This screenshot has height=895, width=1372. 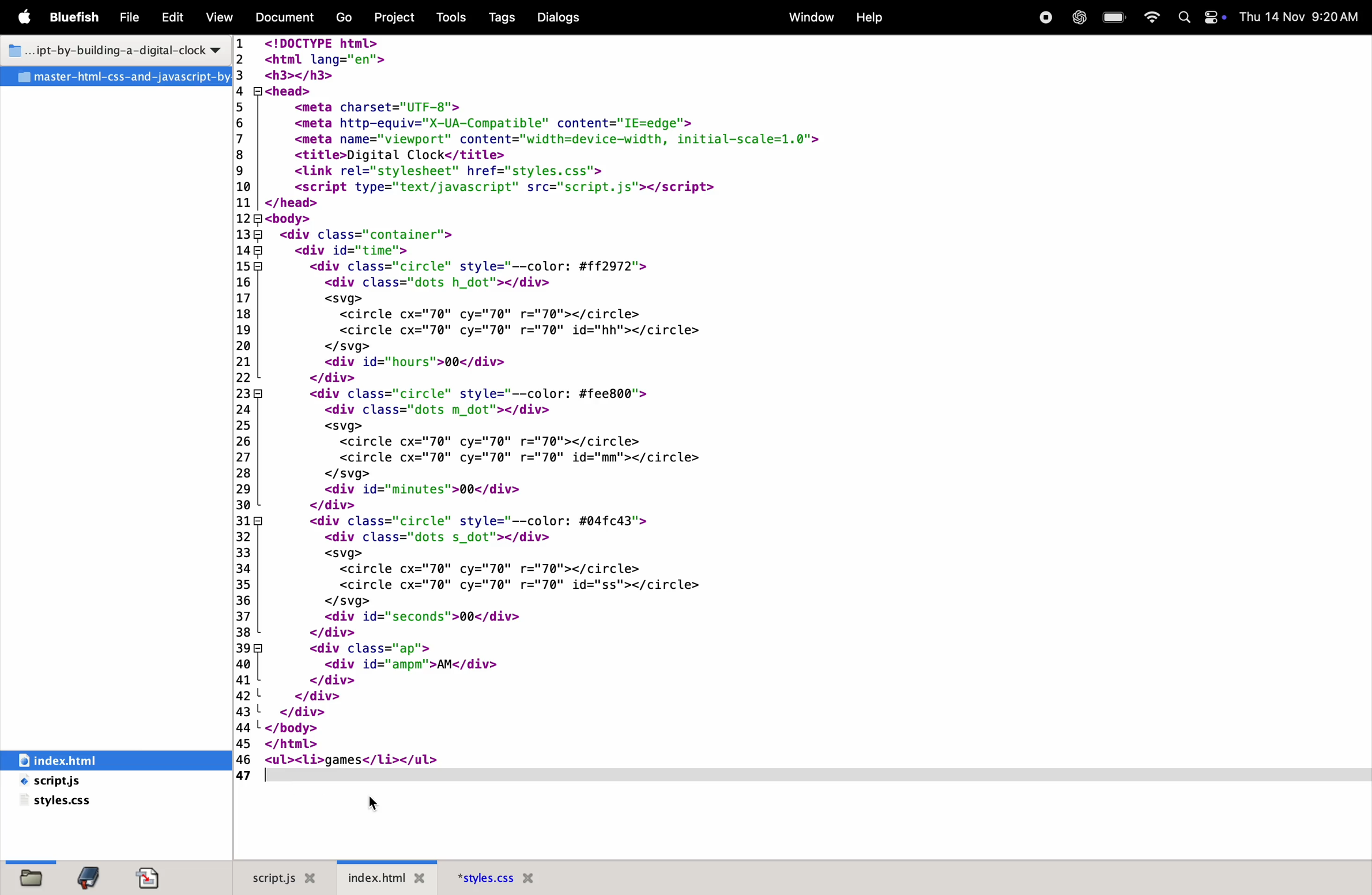 What do you see at coordinates (1198, 18) in the screenshot?
I see `Apple widgets` at bounding box center [1198, 18].